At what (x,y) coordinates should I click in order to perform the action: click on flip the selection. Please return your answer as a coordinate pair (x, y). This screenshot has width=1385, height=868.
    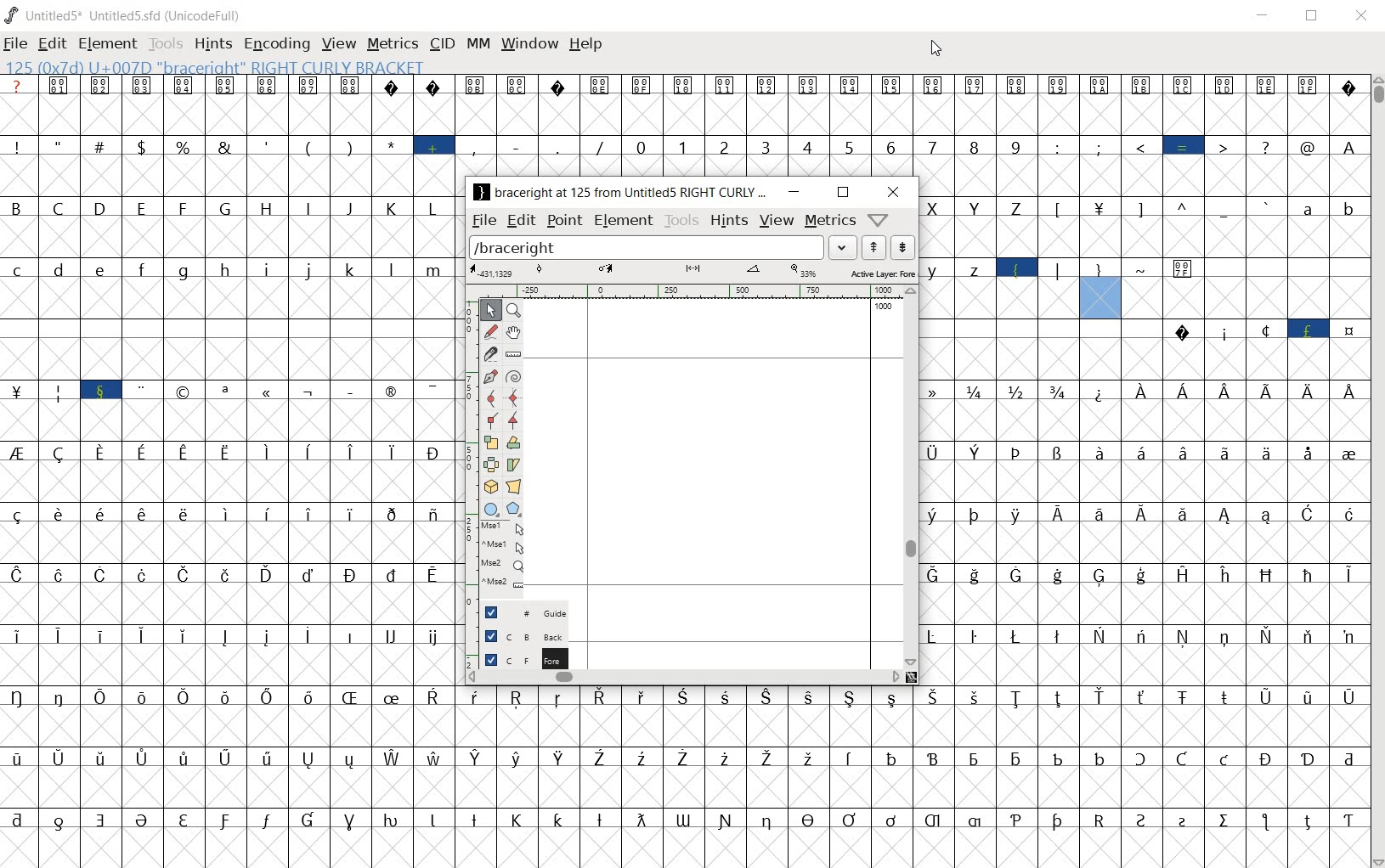
    Looking at the image, I should click on (513, 443).